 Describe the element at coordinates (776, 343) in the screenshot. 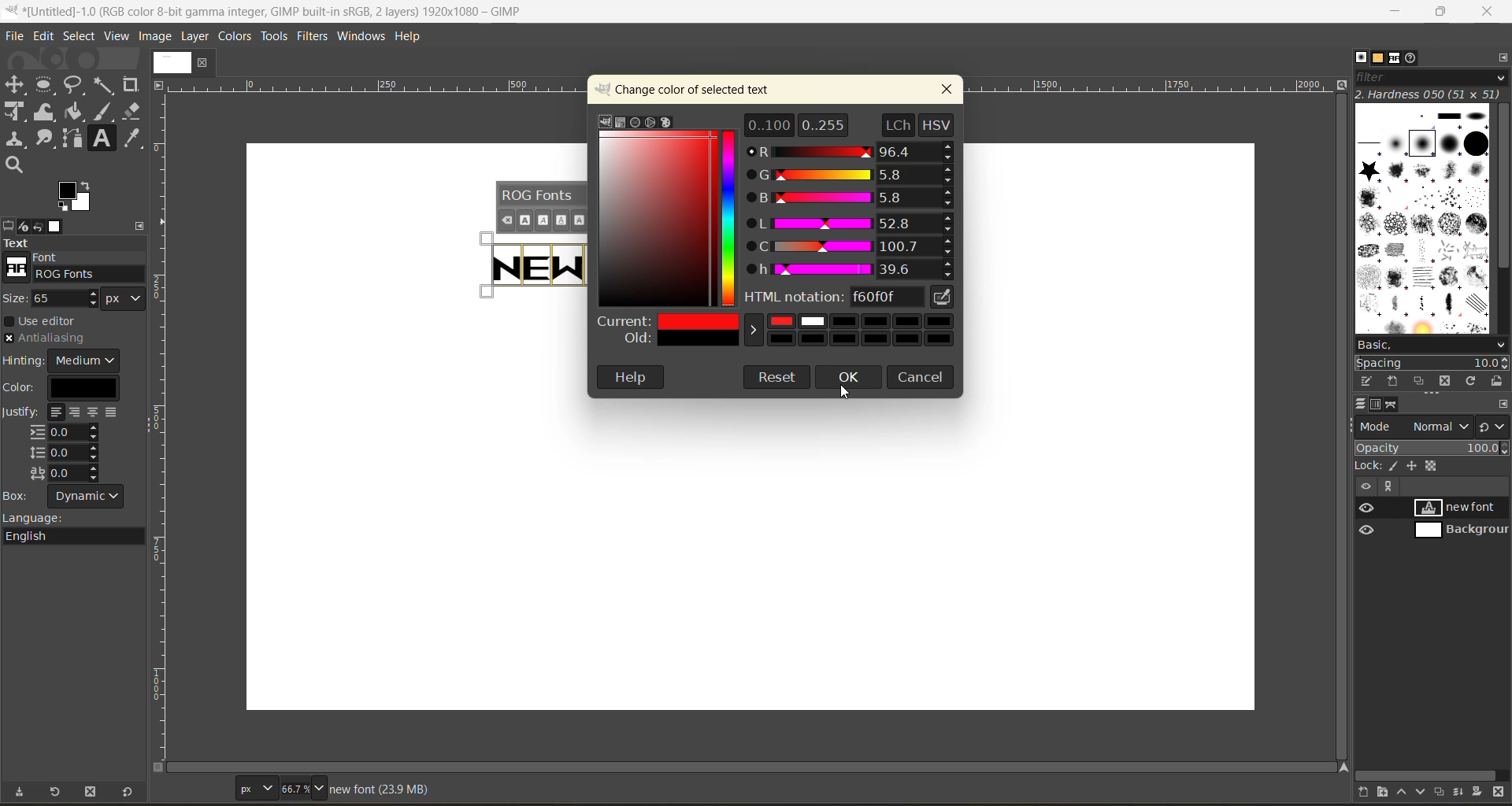

I see `old color schemes` at that location.